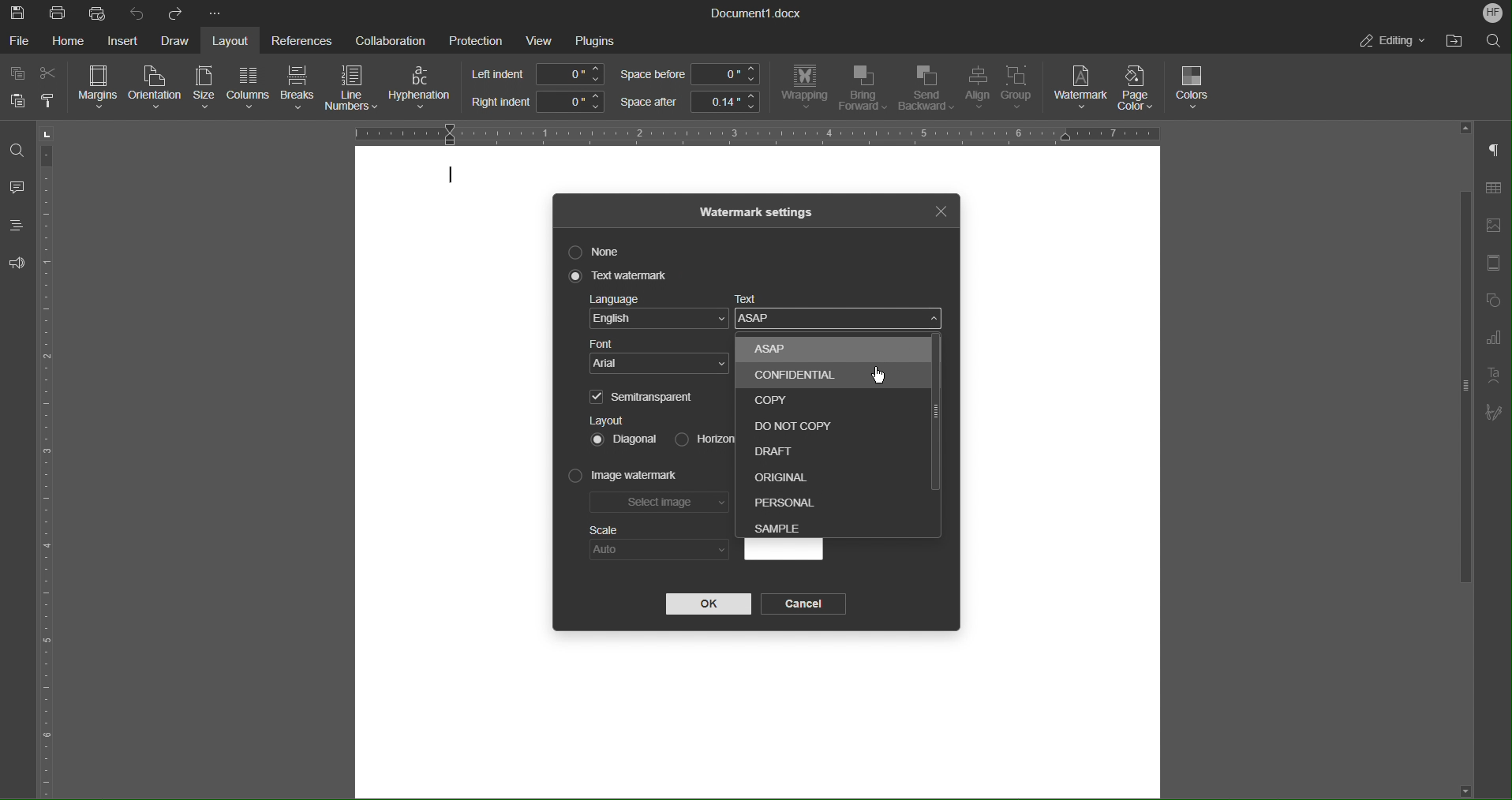 Image resolution: width=1512 pixels, height=800 pixels. Describe the element at coordinates (234, 40) in the screenshot. I see `Layout` at that location.